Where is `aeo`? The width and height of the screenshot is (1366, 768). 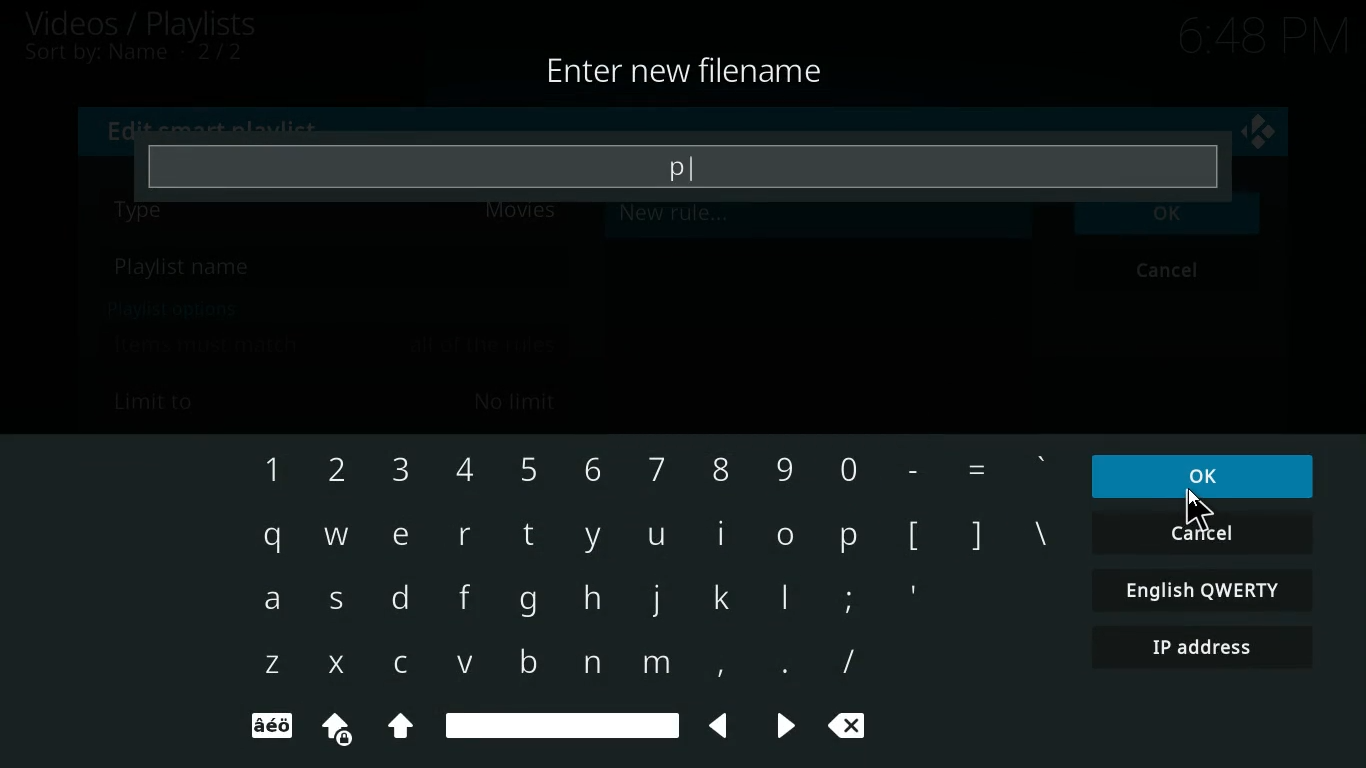
aeo is located at coordinates (271, 727).